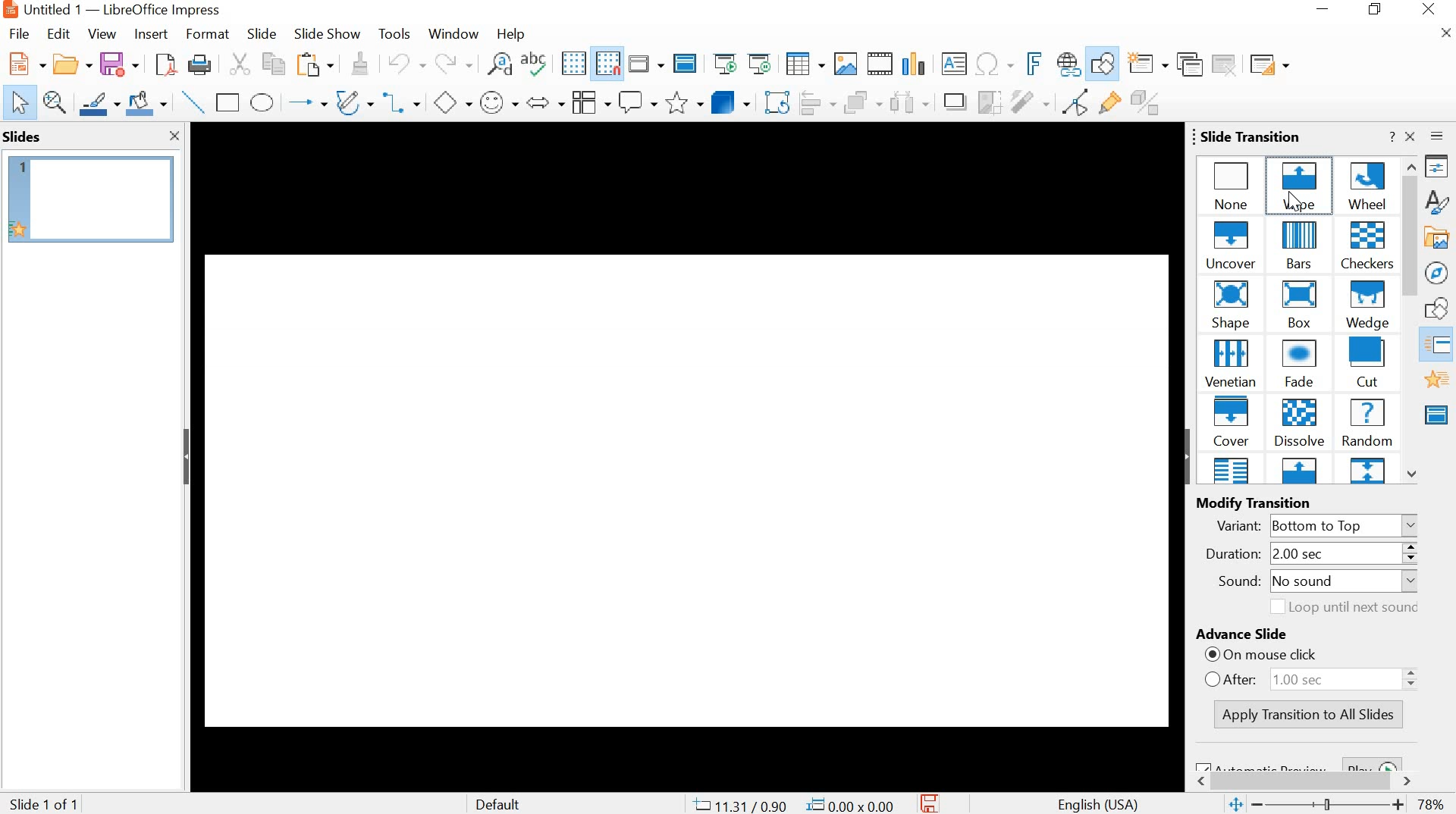  What do you see at coordinates (1276, 502) in the screenshot?
I see `modify transition` at bounding box center [1276, 502].